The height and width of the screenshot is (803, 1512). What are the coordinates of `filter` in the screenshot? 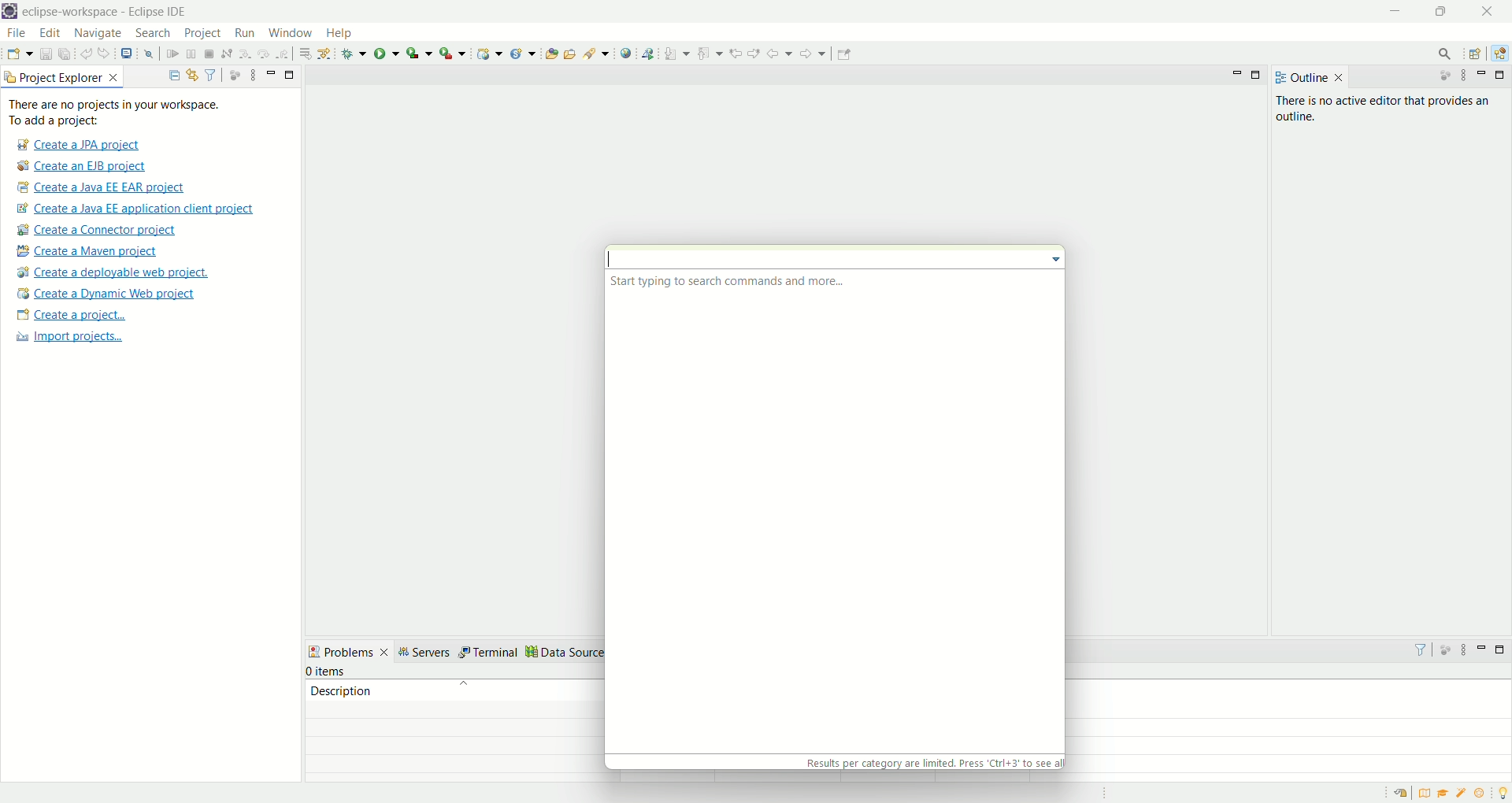 It's located at (209, 73).